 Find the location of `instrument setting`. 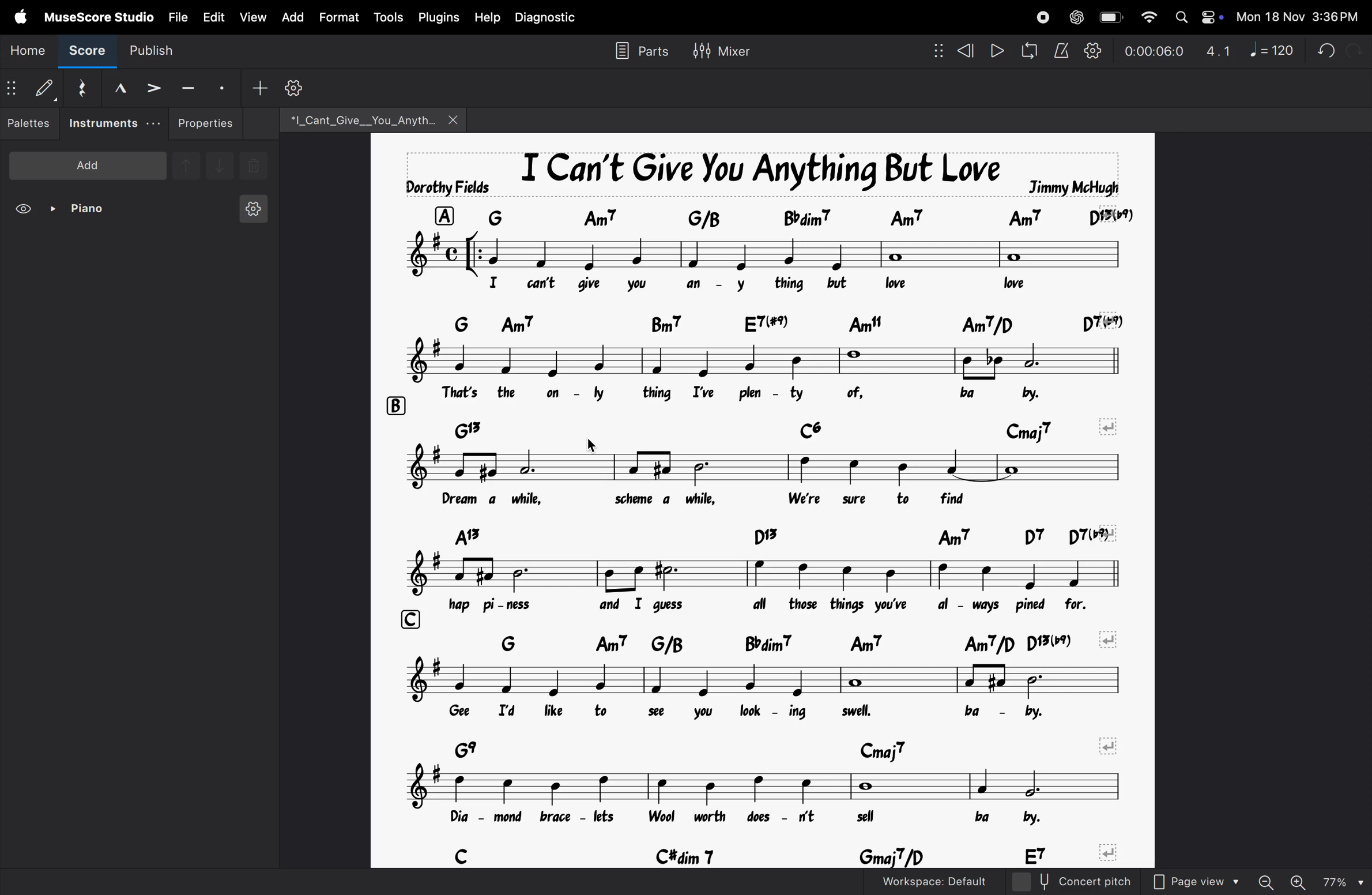

instrument setting is located at coordinates (252, 210).